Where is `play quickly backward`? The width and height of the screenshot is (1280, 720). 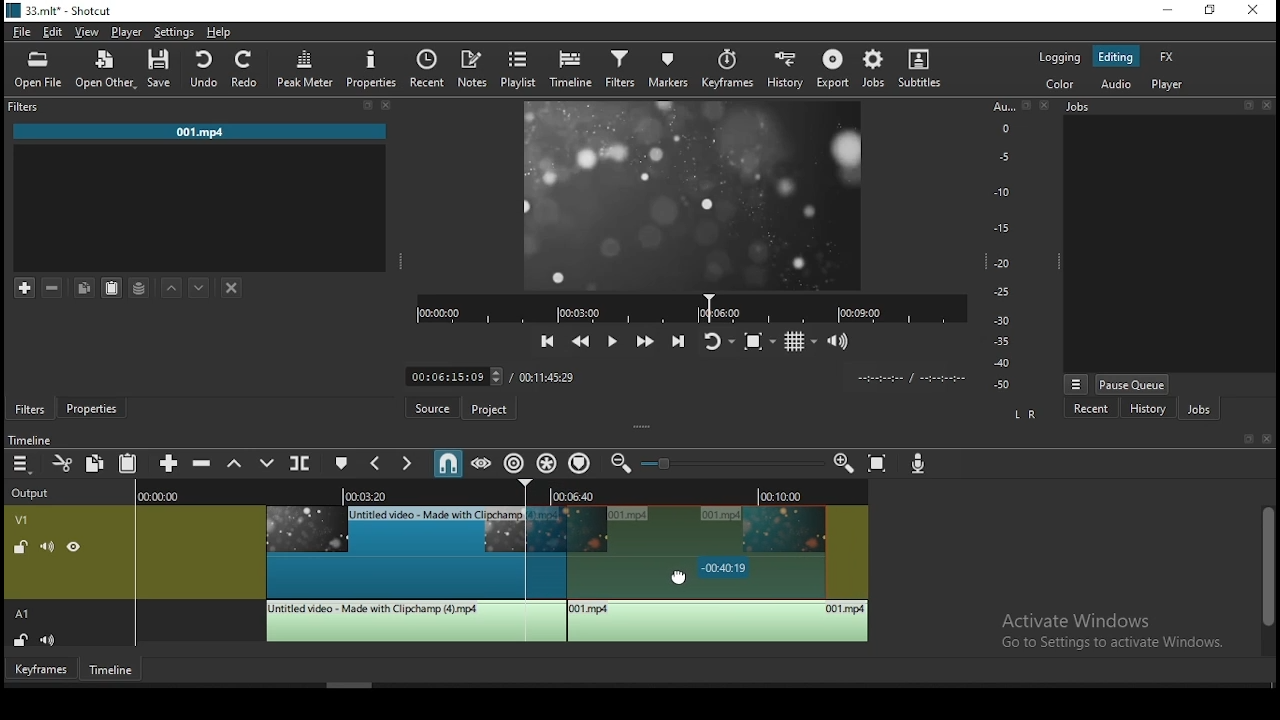 play quickly backward is located at coordinates (583, 341).